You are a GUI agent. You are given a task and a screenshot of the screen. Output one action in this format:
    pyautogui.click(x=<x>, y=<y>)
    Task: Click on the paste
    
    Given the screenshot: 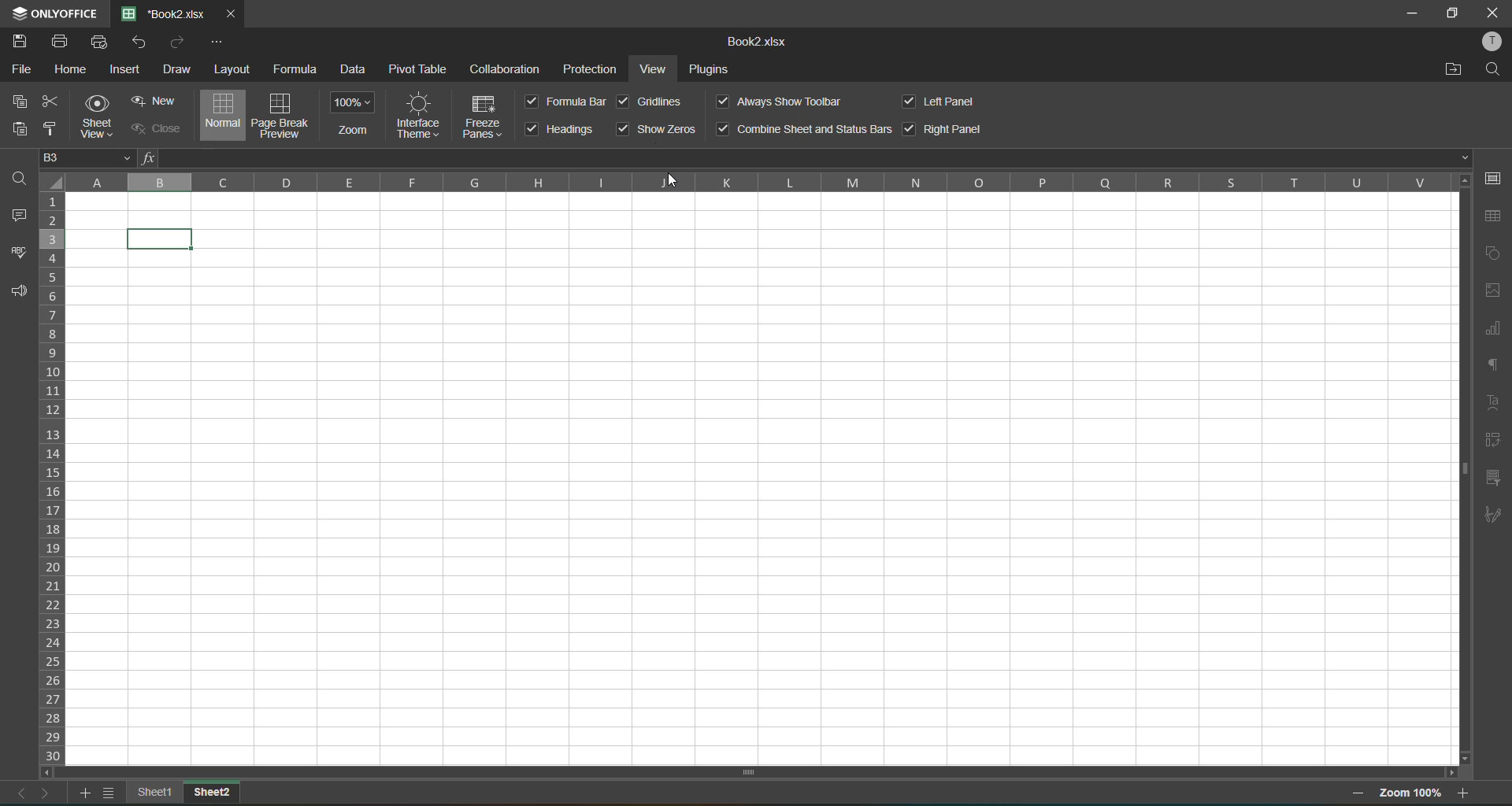 What is the action you would take?
    pyautogui.click(x=15, y=129)
    